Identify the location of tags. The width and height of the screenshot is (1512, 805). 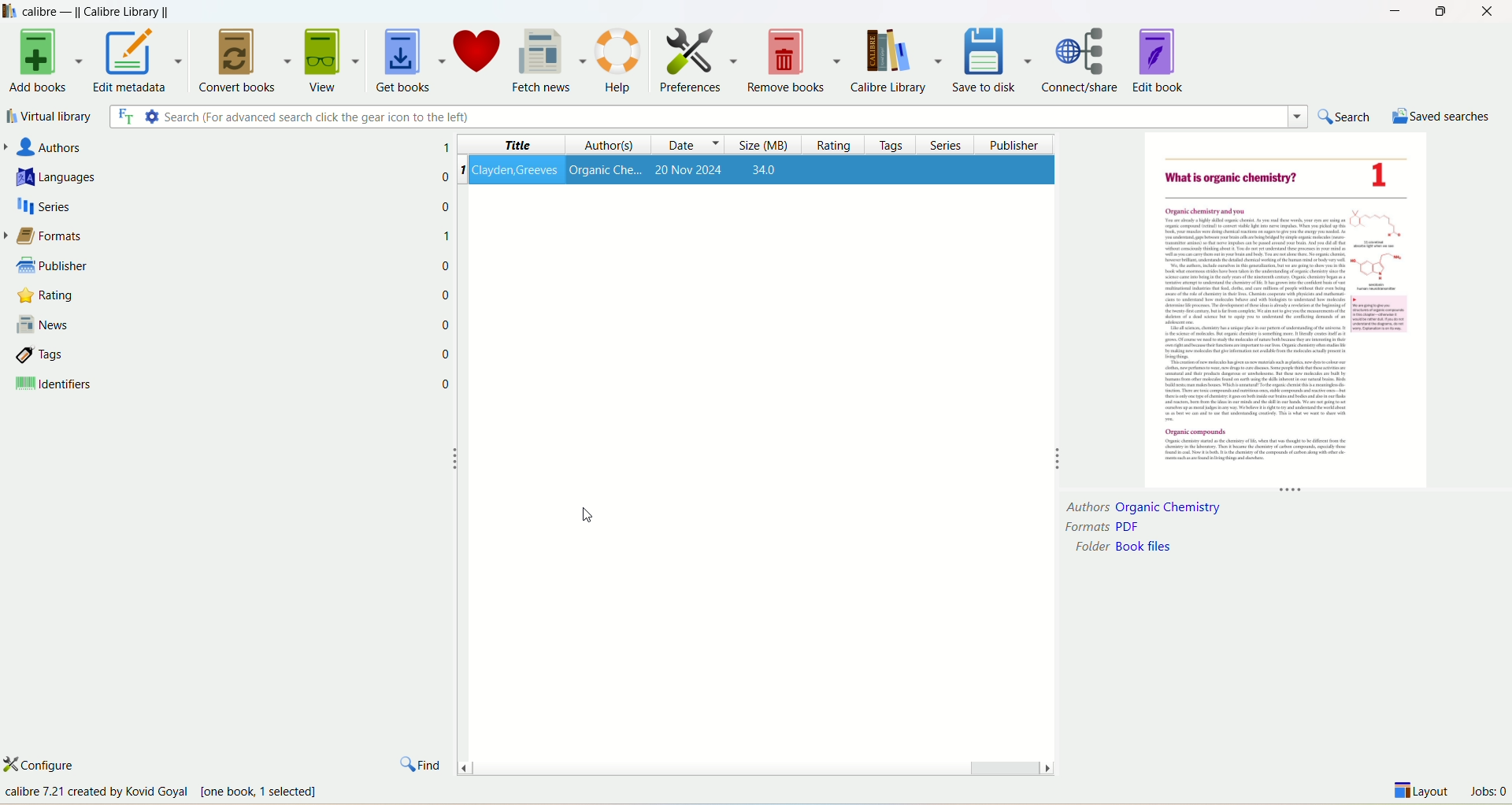
(211, 356).